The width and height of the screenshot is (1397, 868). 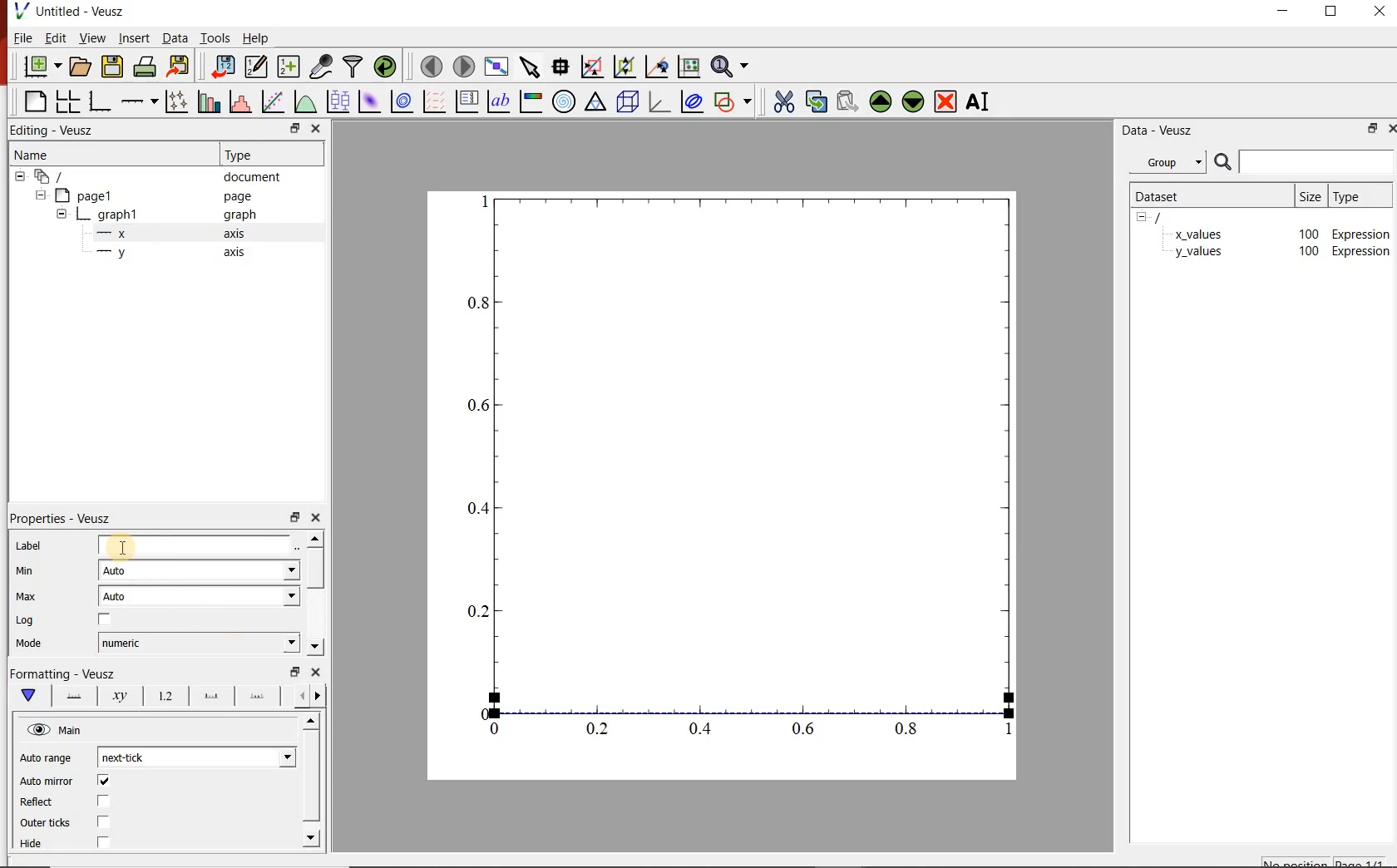 I want to click on graph1, so click(x=120, y=214).